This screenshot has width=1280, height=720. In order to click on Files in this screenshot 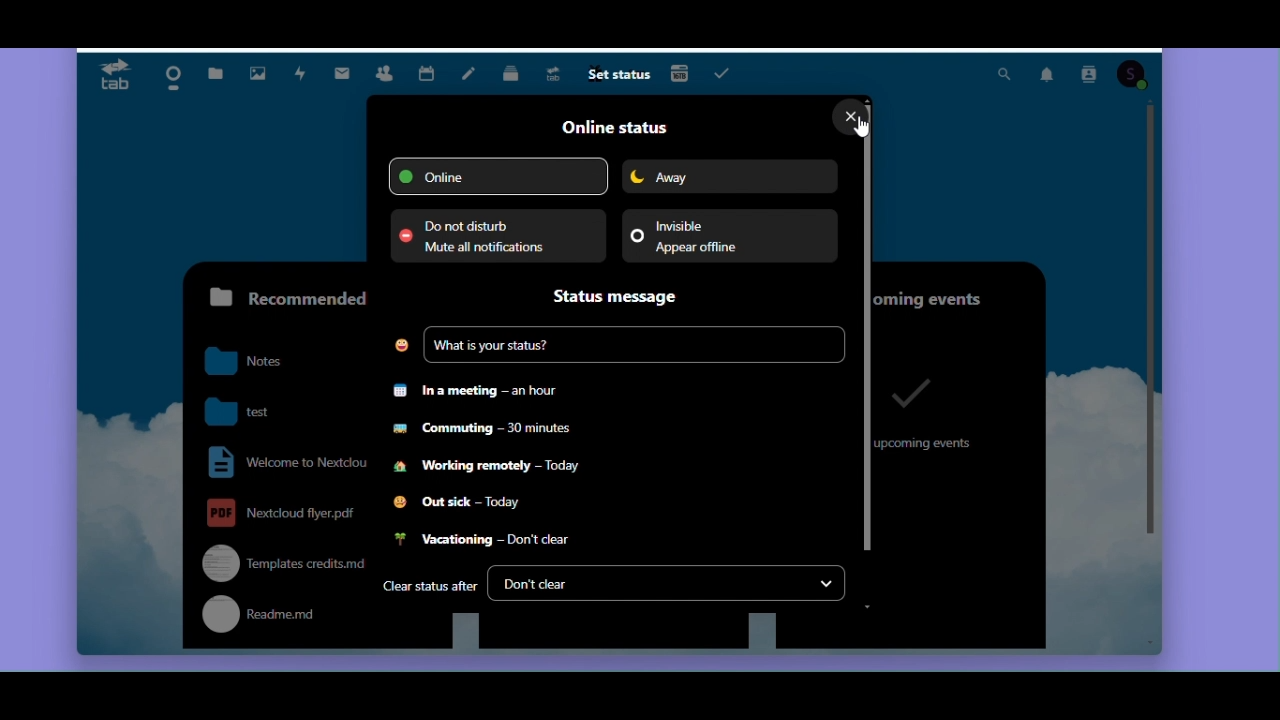, I will do `click(215, 68)`.